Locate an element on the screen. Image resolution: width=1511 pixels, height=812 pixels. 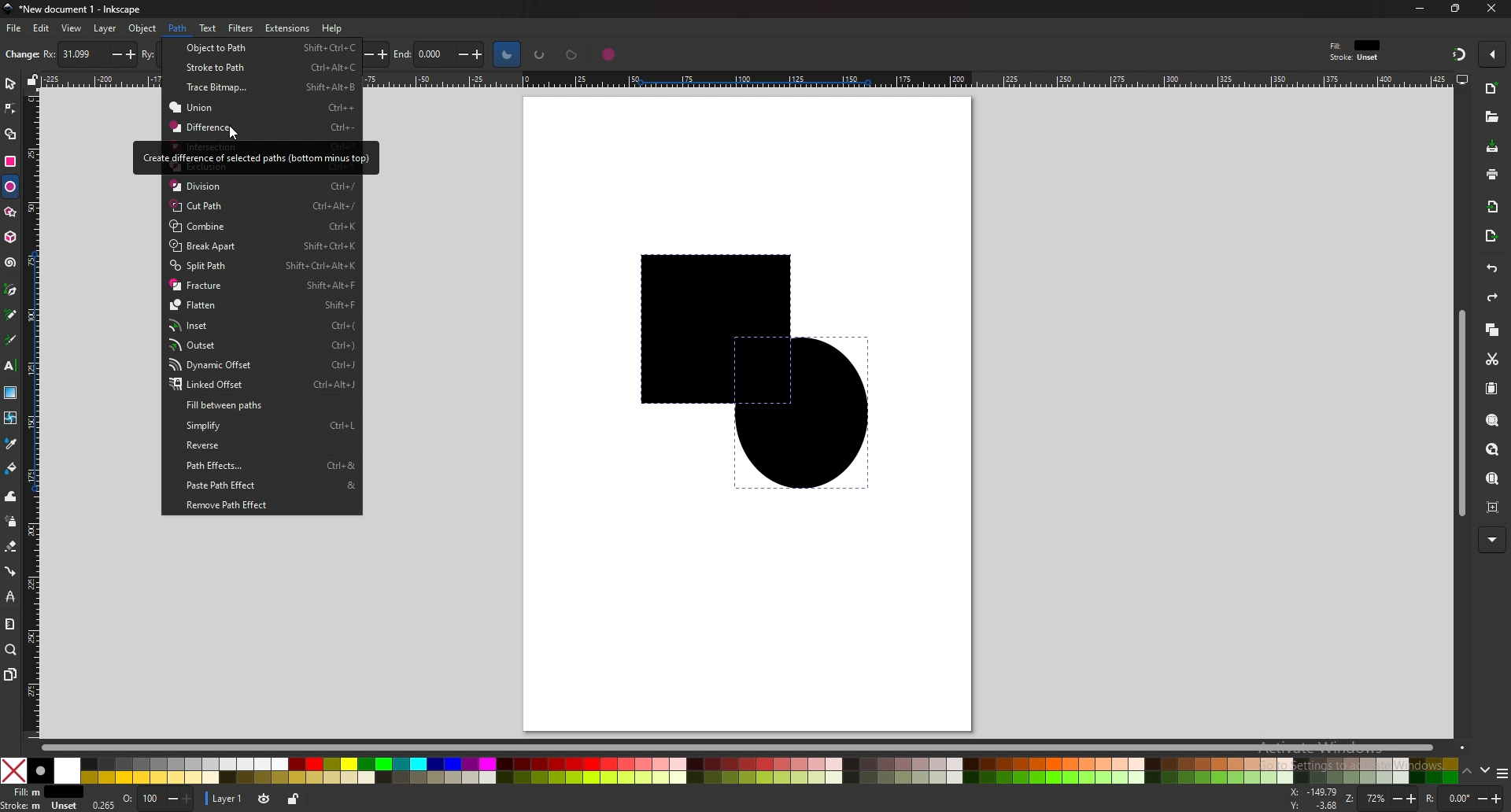
select is located at coordinates (10, 82).